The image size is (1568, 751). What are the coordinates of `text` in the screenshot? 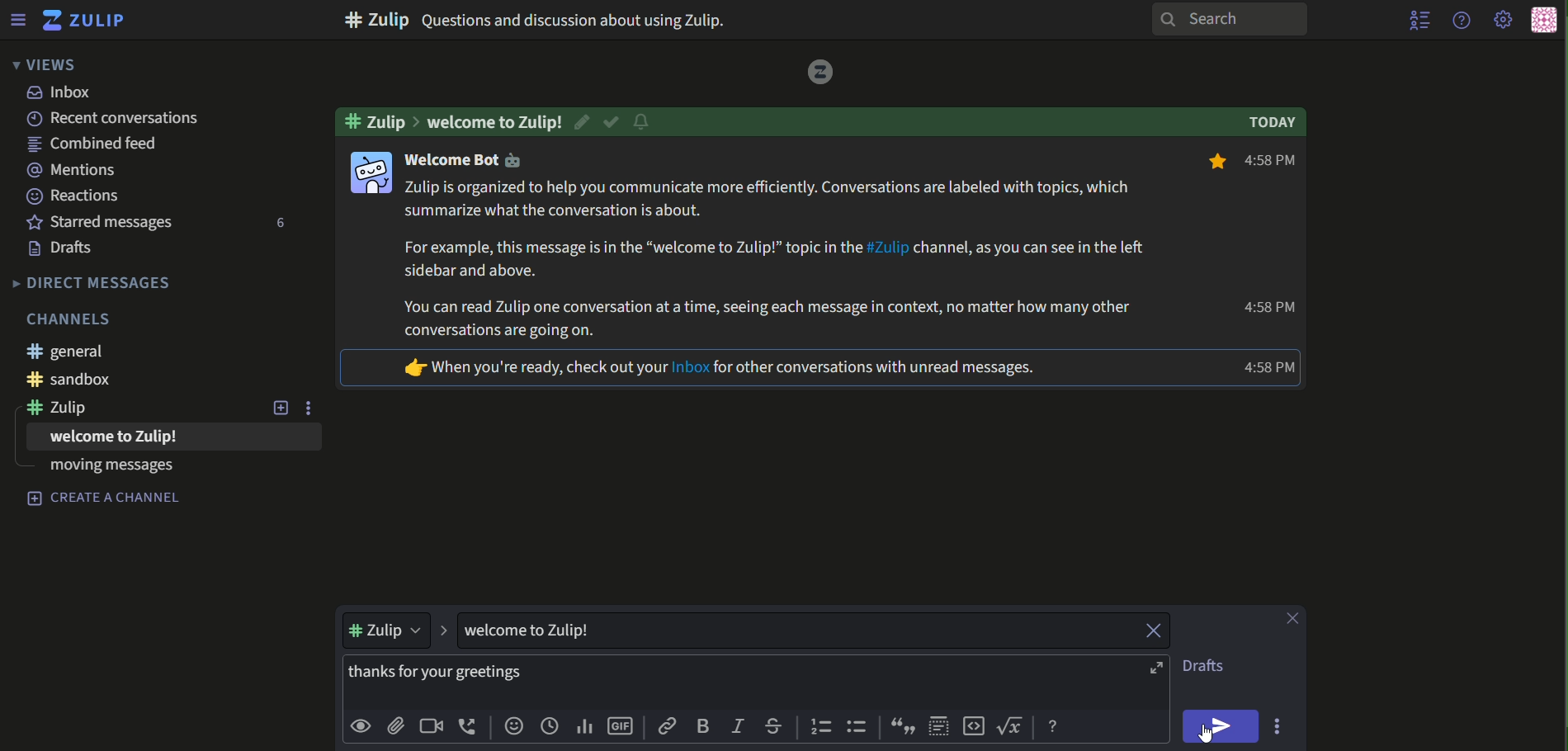 It's located at (543, 19).